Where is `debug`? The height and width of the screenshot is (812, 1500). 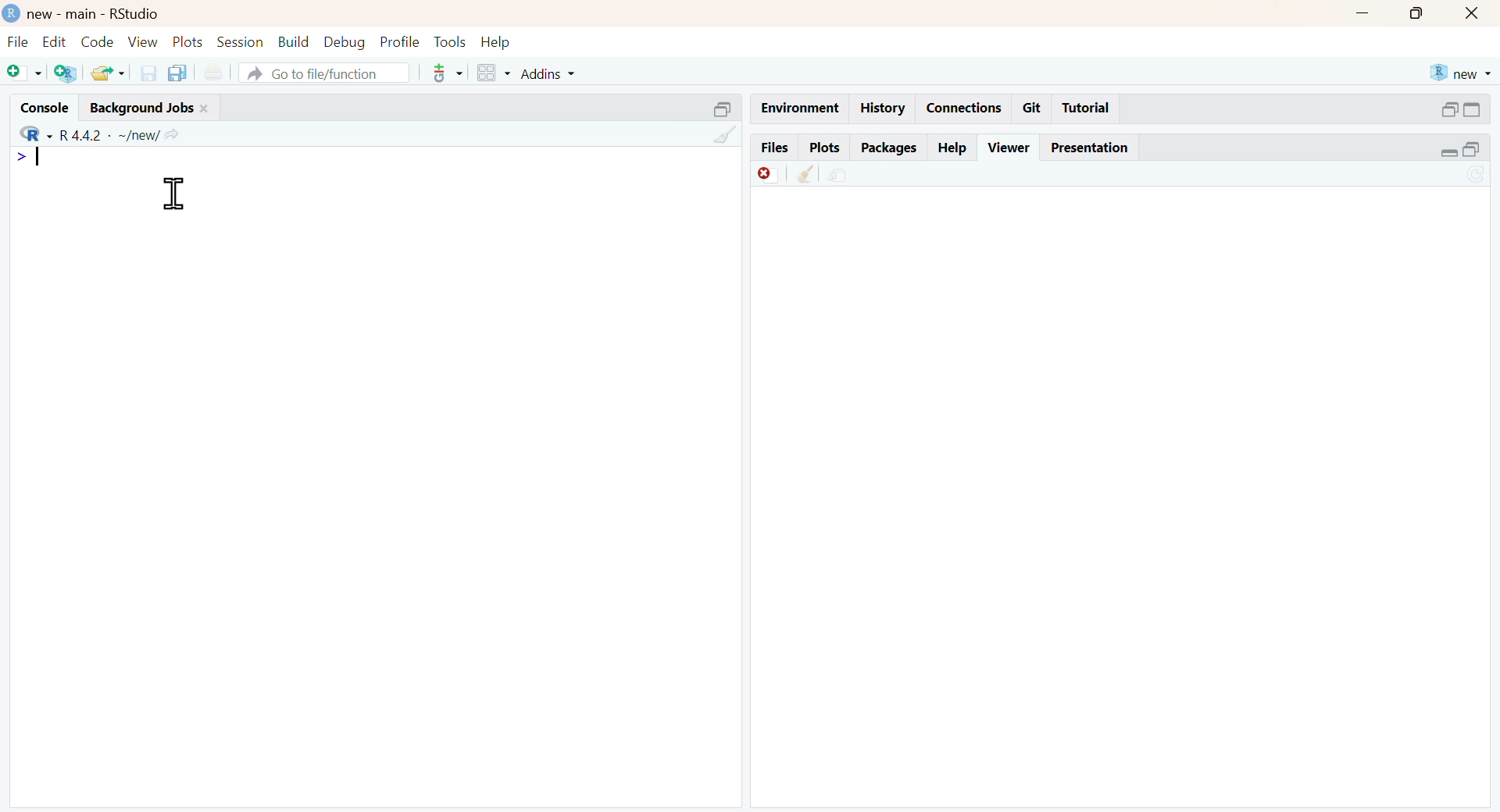
debug is located at coordinates (346, 44).